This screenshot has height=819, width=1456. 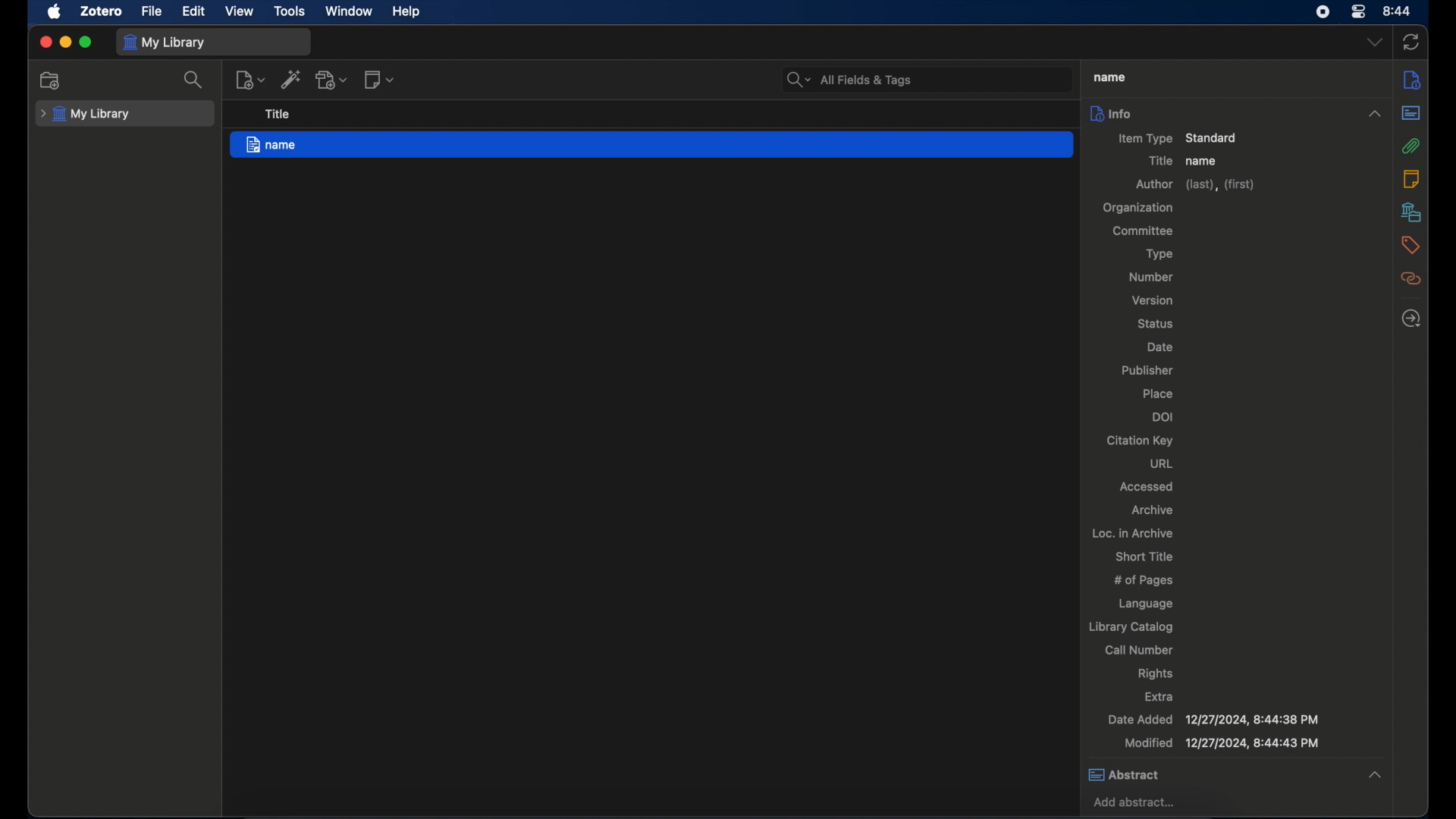 I want to click on apple, so click(x=55, y=12).